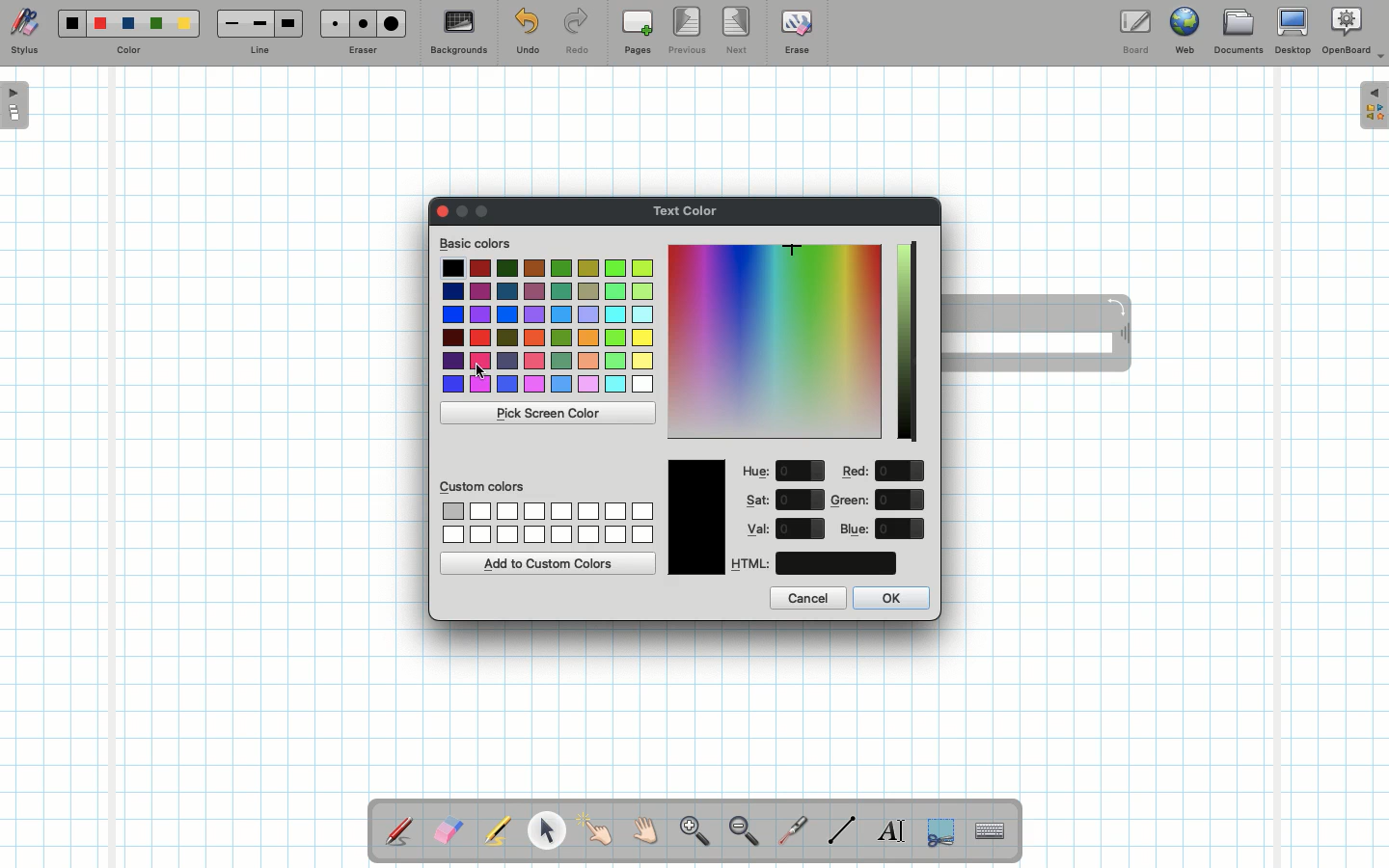 The height and width of the screenshot is (868, 1389). Describe the element at coordinates (1295, 31) in the screenshot. I see `Desktop` at that location.